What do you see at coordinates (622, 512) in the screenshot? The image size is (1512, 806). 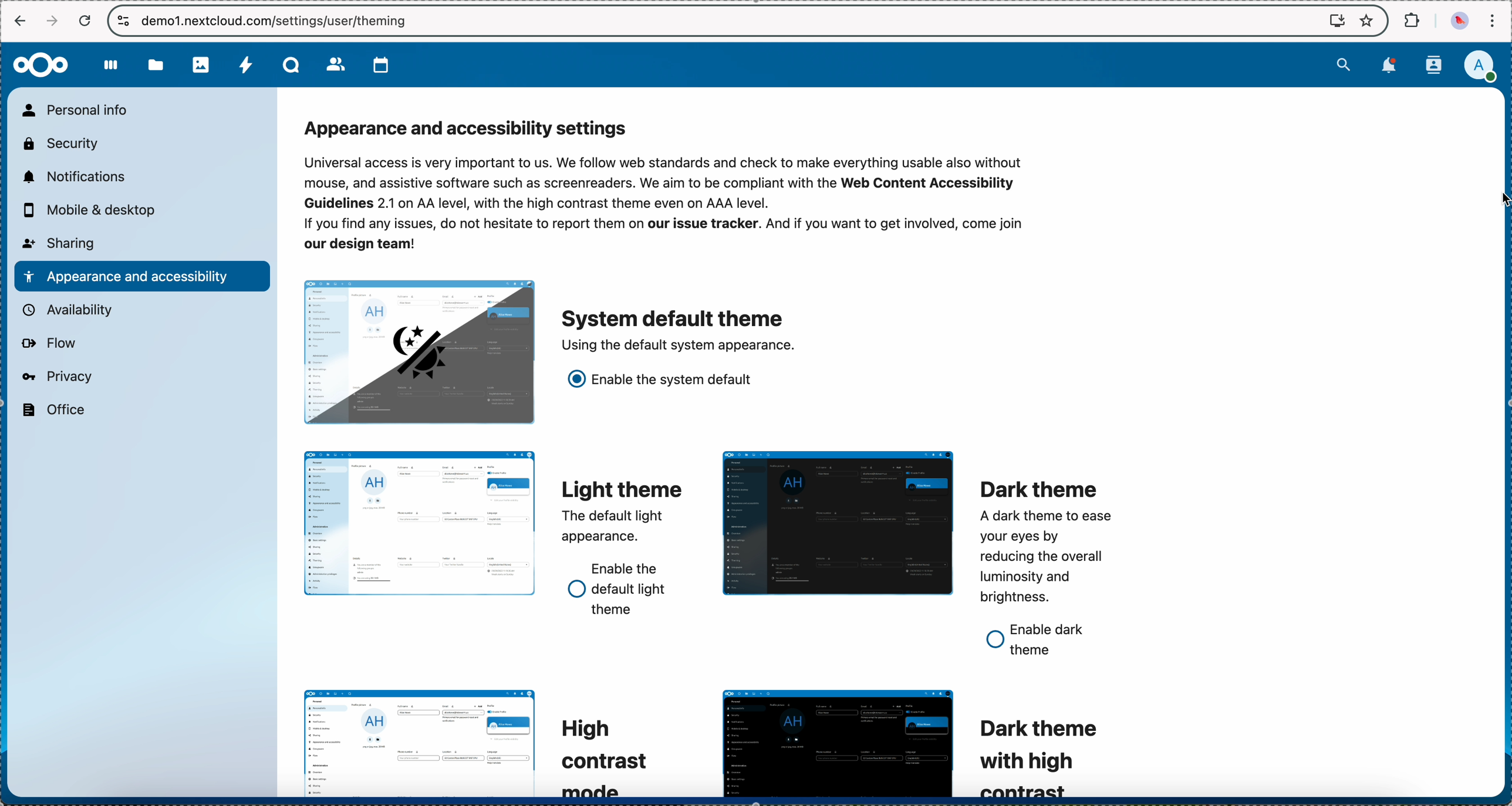 I see `light theme` at bounding box center [622, 512].